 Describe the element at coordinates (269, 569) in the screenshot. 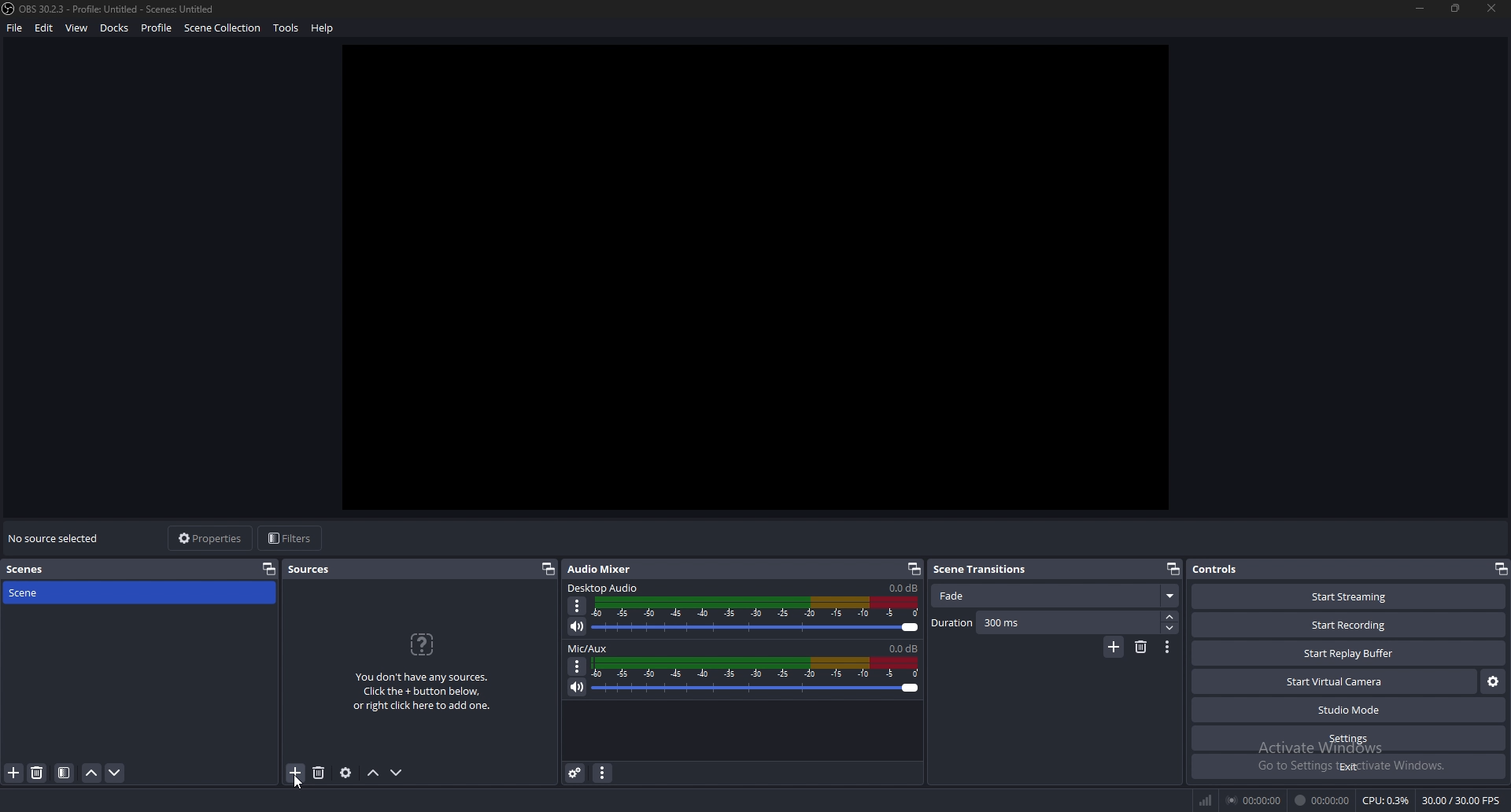

I see `pop out` at that location.